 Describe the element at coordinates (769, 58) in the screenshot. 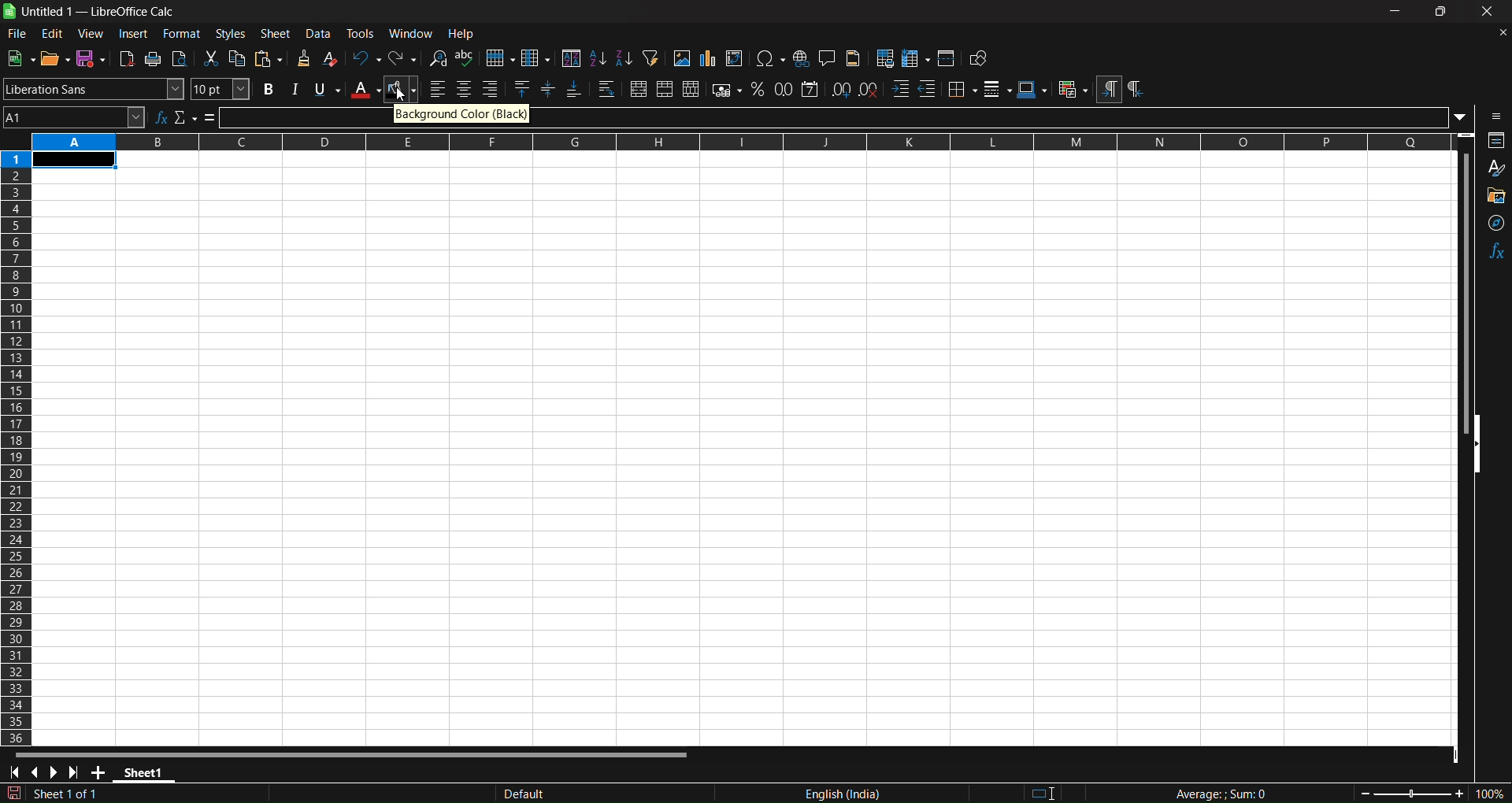

I see `insert special characters` at that location.